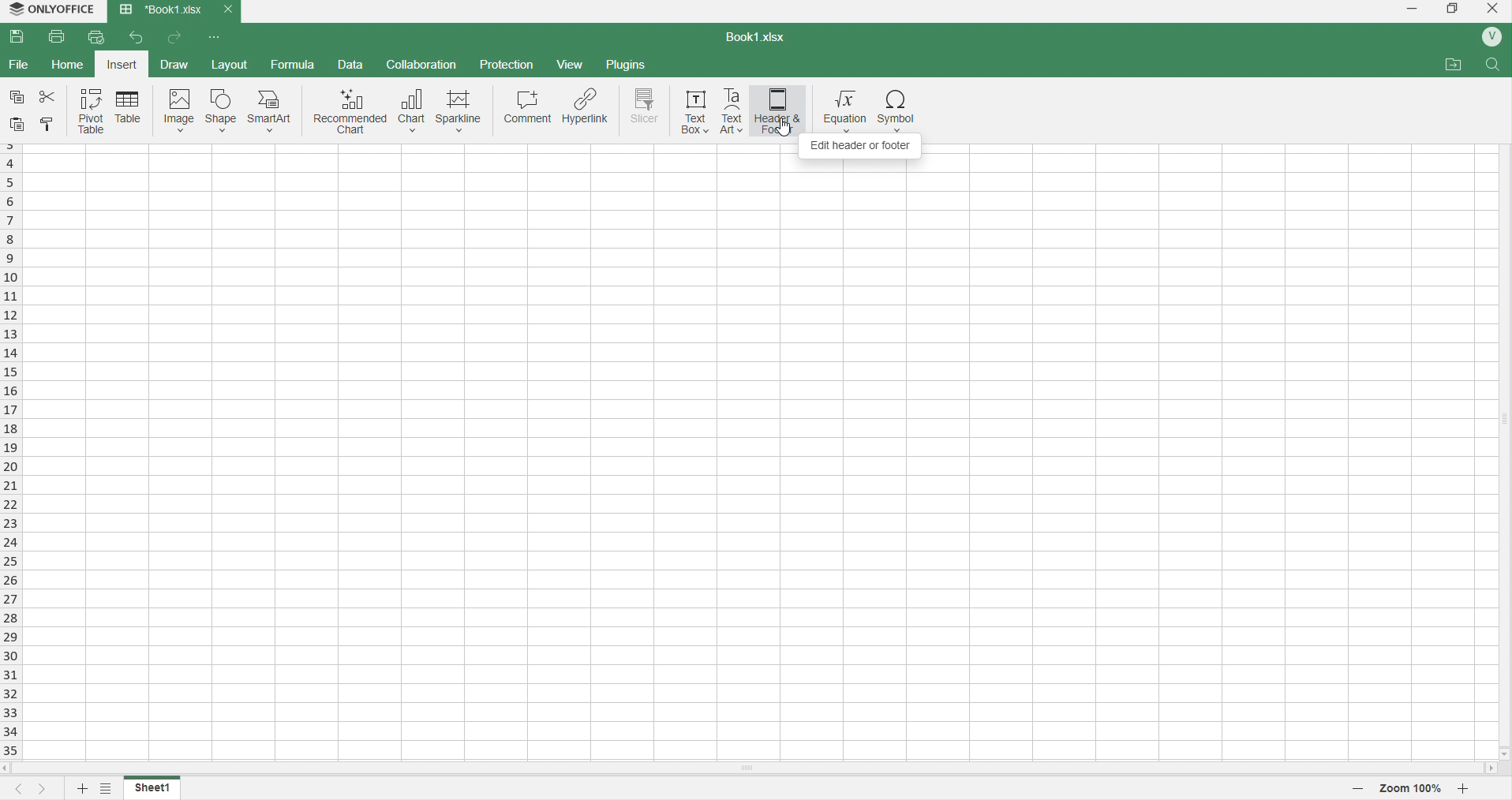 Image resolution: width=1512 pixels, height=800 pixels. I want to click on view, so click(571, 65).